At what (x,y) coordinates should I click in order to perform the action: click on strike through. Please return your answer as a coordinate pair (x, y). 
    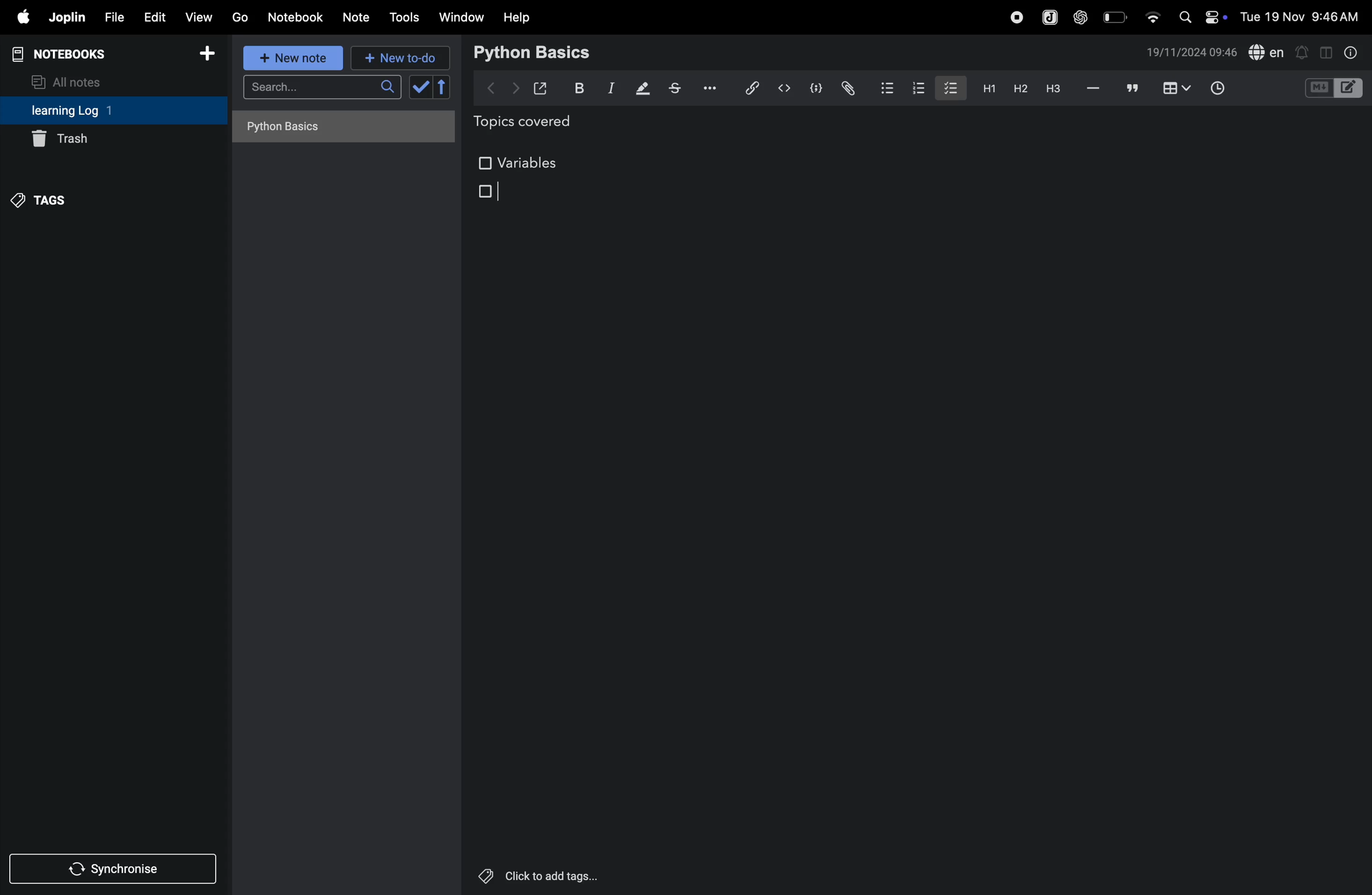
    Looking at the image, I should click on (675, 88).